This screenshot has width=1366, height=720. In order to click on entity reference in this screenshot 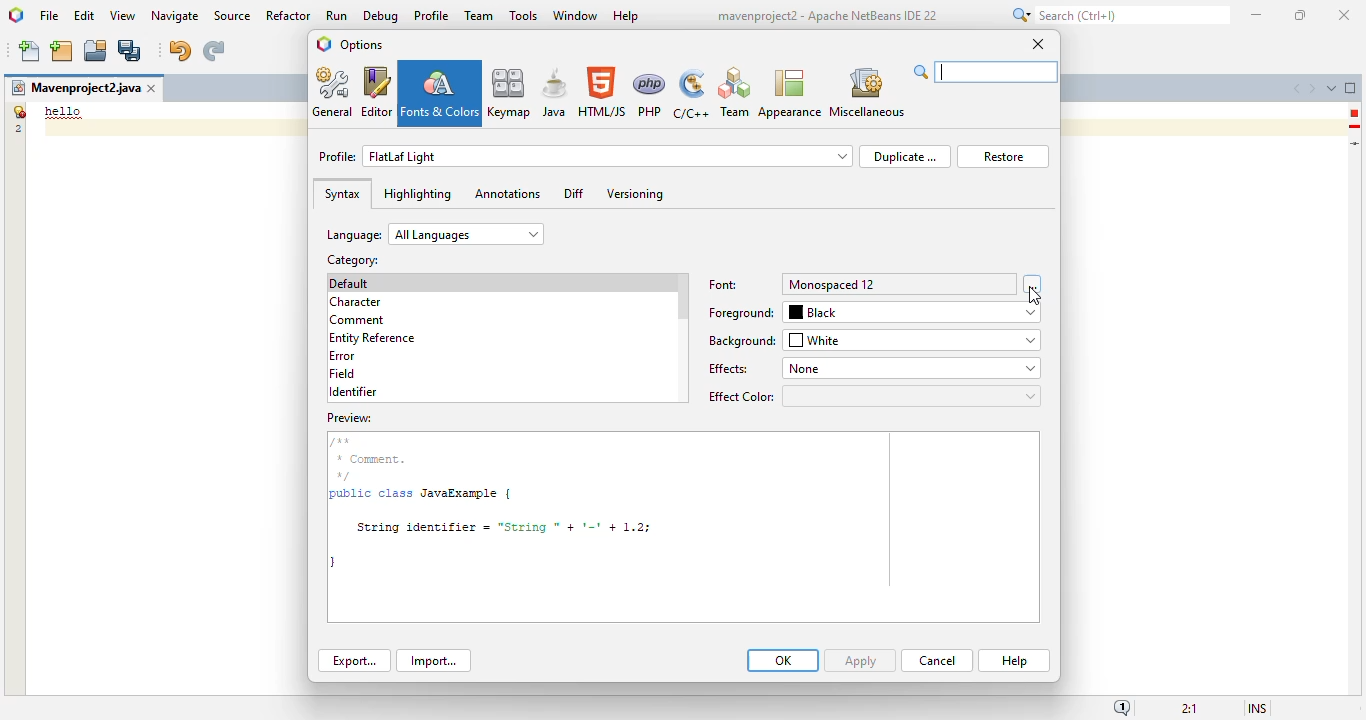, I will do `click(373, 339)`.